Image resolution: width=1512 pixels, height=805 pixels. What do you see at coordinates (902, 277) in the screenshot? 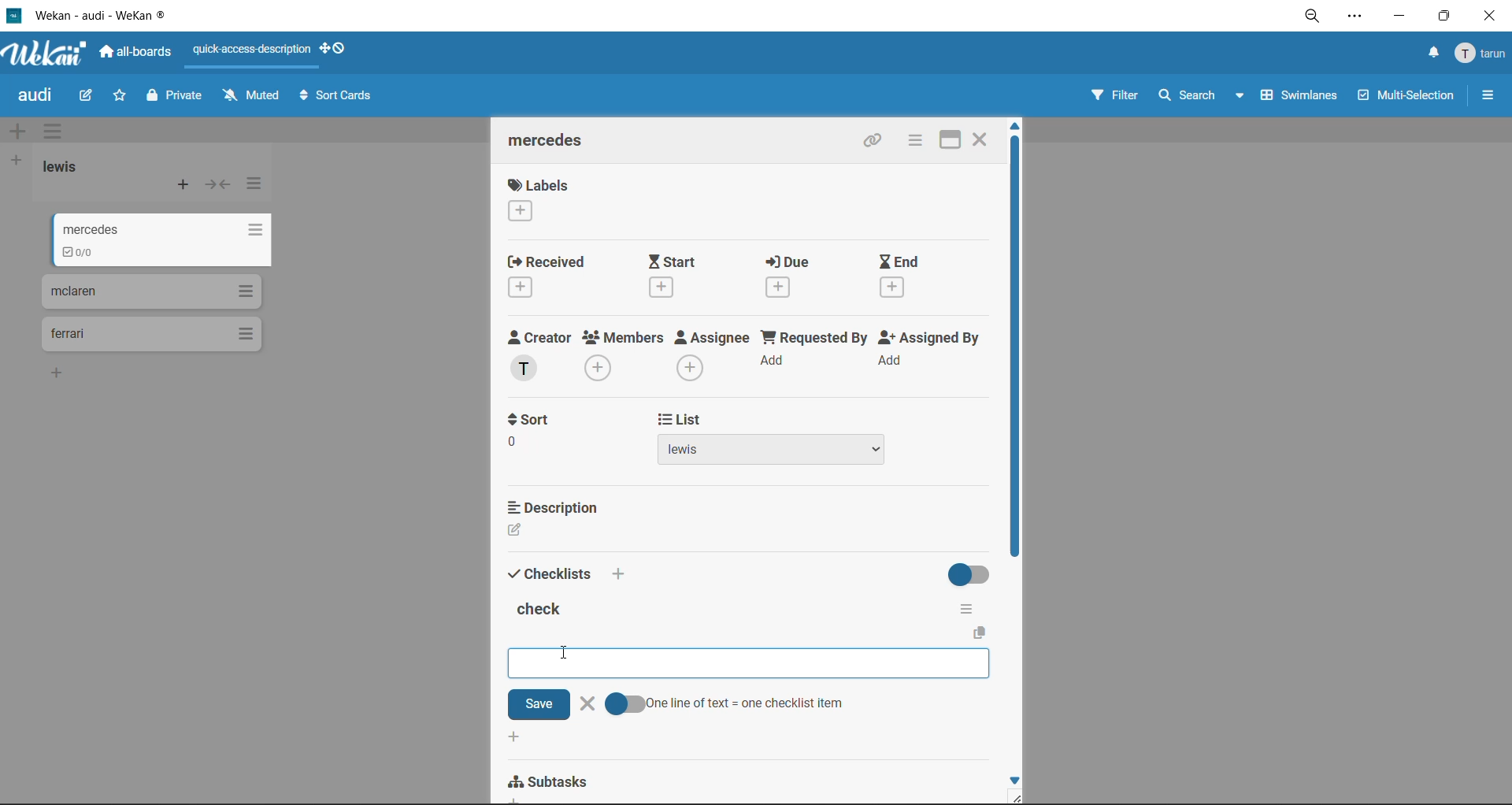
I see `end` at bounding box center [902, 277].